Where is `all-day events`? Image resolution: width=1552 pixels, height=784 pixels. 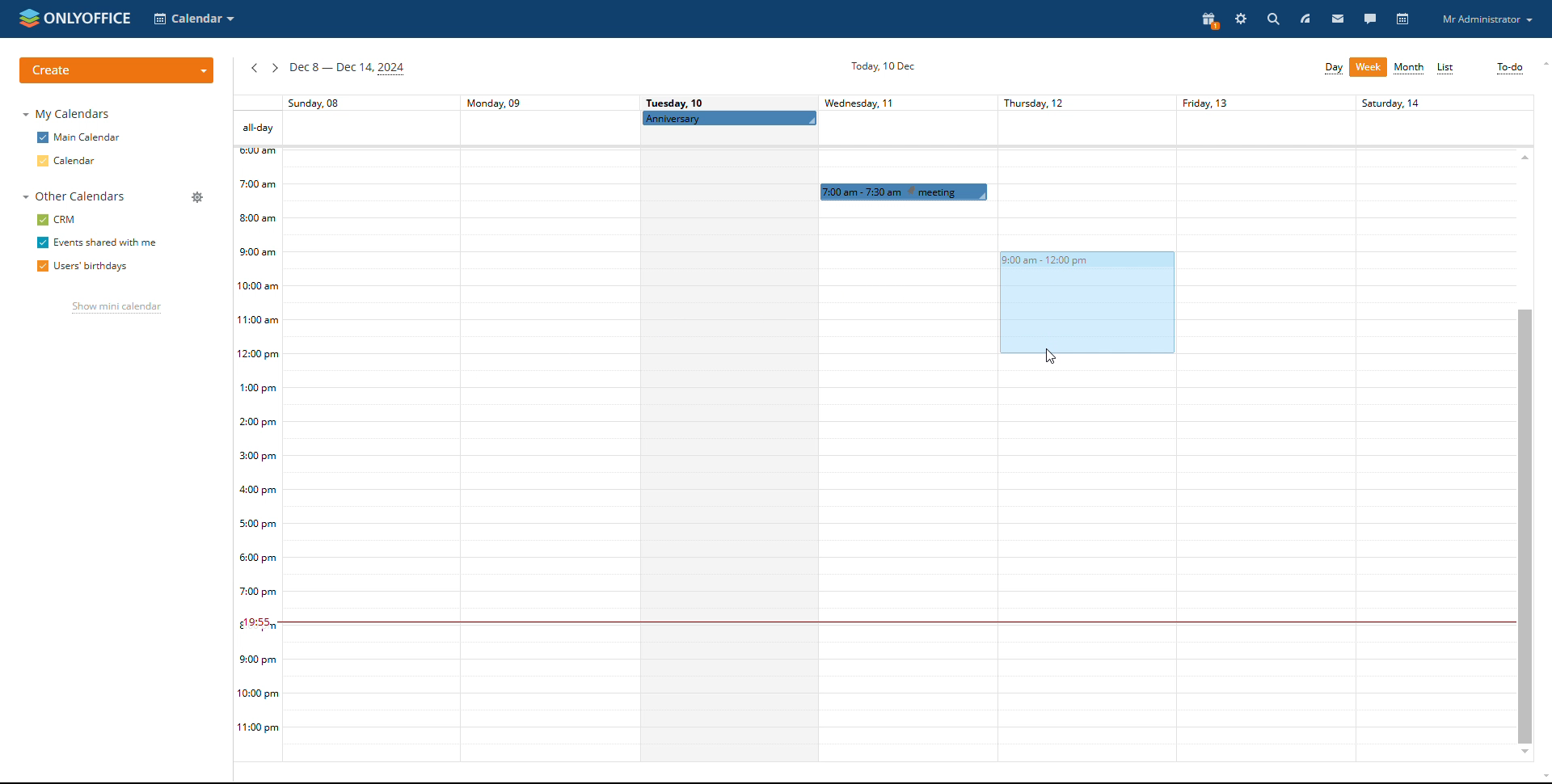 all-day events is located at coordinates (257, 128).